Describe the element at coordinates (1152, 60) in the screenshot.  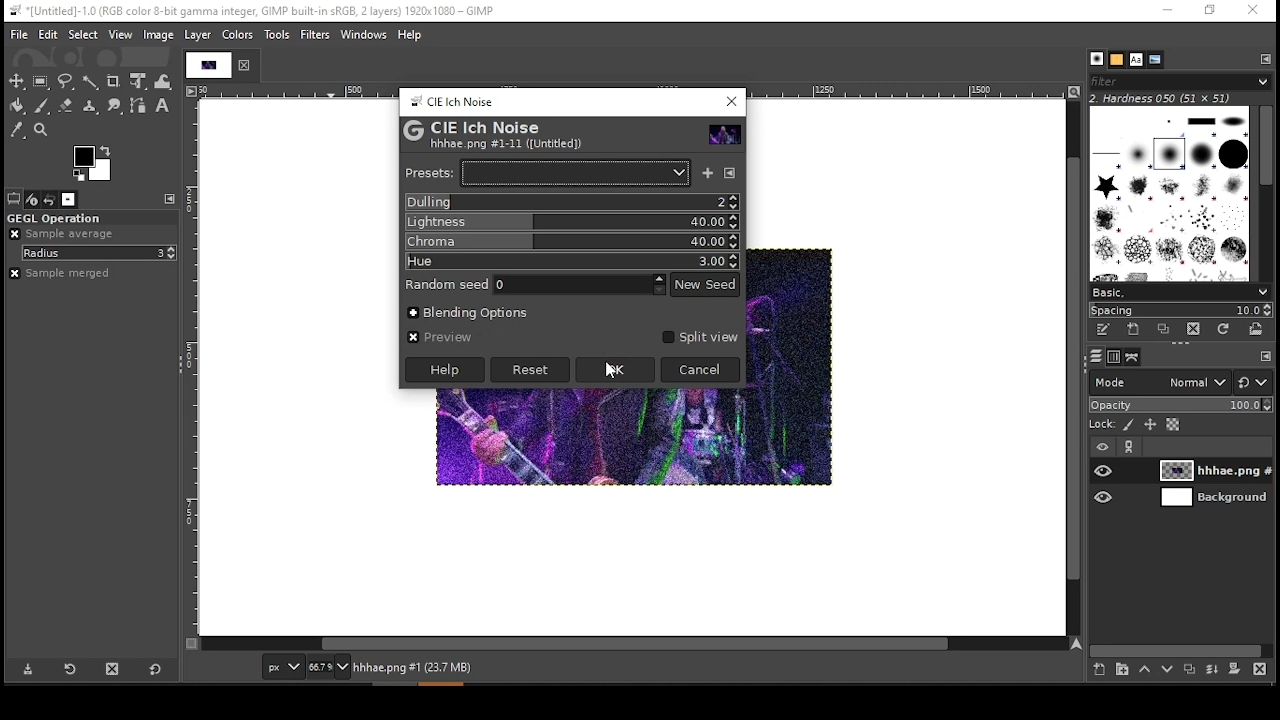
I see `document history` at that location.